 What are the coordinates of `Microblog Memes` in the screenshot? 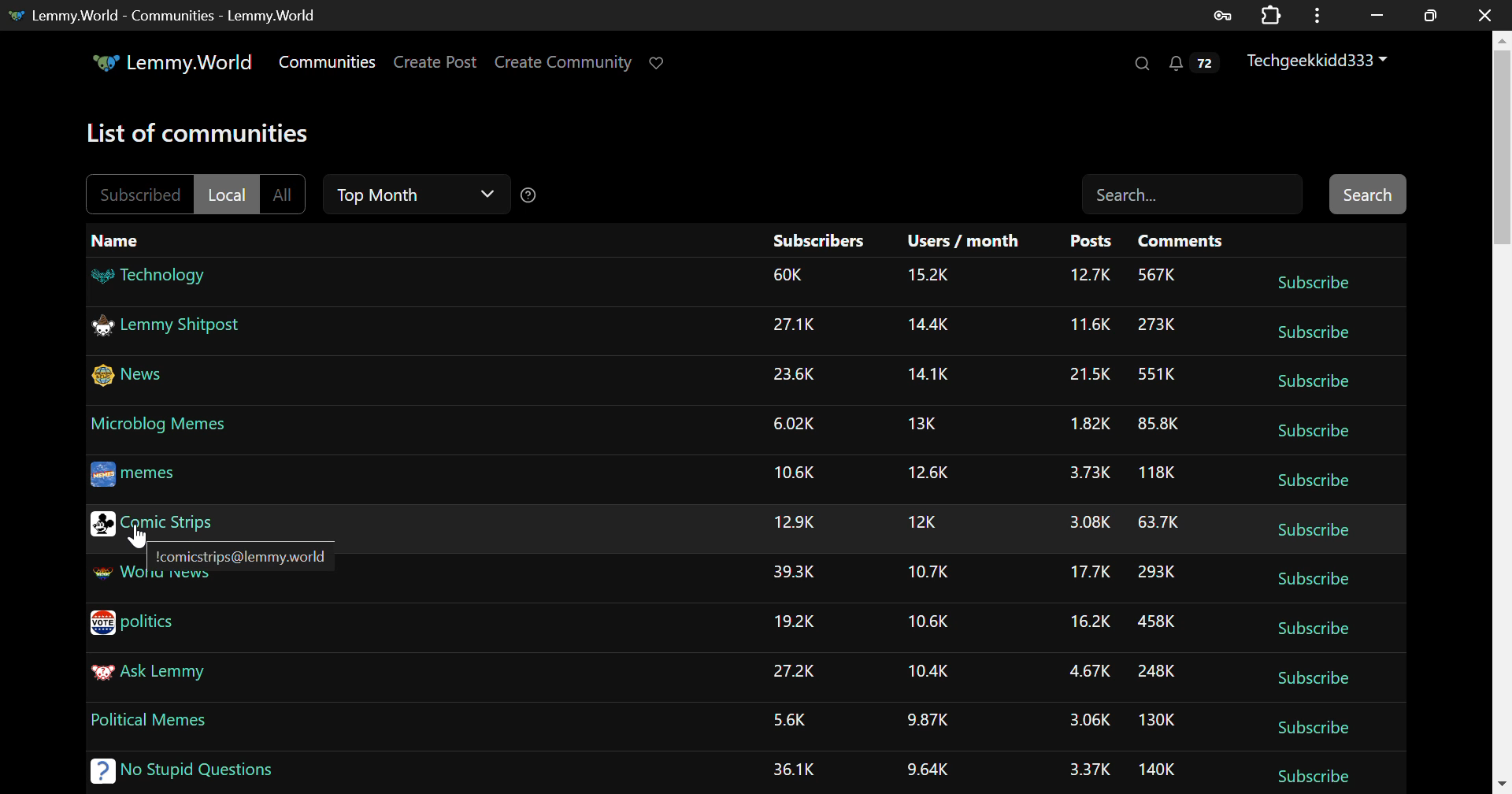 It's located at (161, 424).